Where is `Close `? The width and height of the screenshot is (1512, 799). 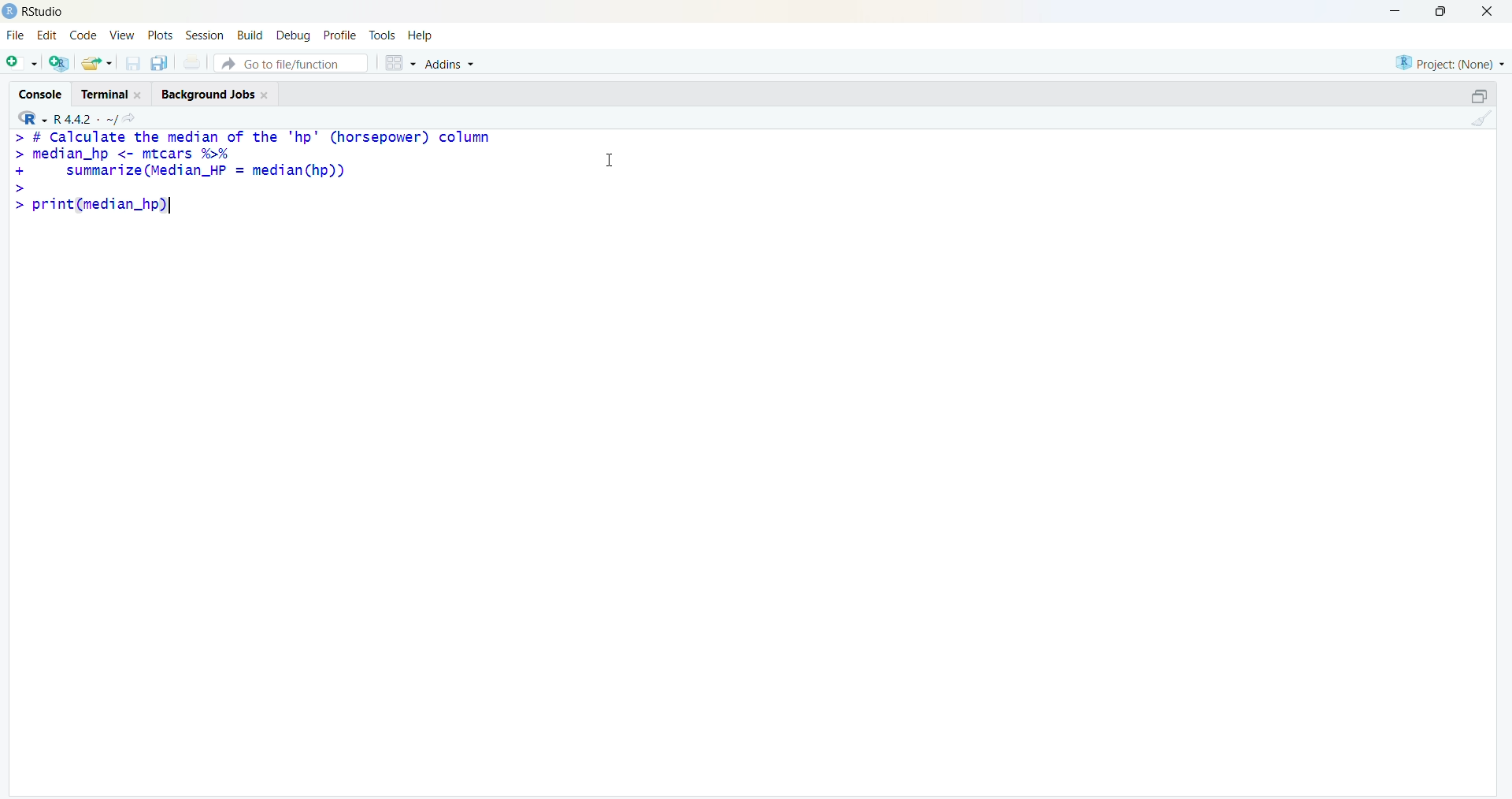
Close  is located at coordinates (266, 95).